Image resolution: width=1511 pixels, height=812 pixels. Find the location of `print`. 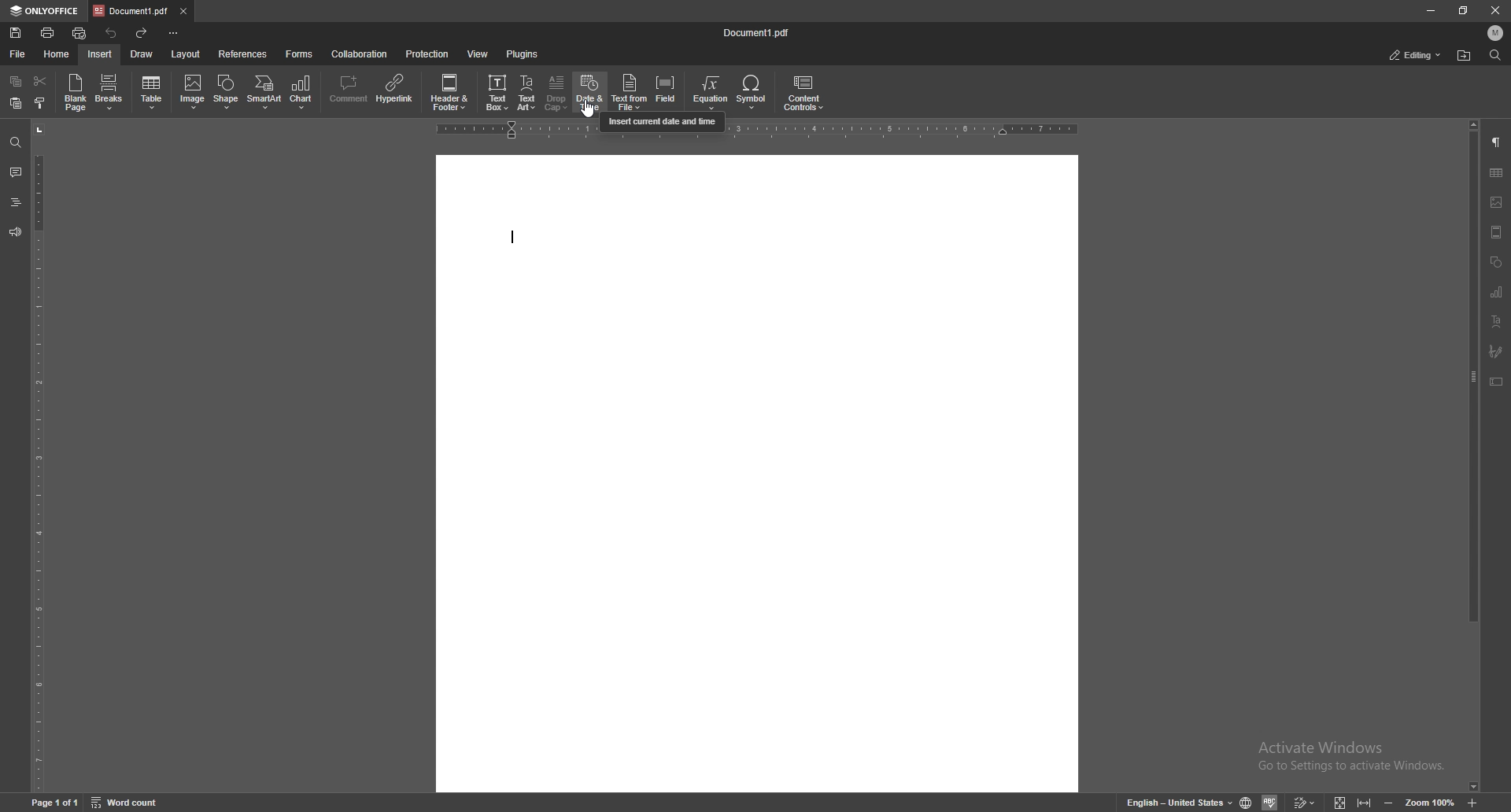

print is located at coordinates (47, 33).